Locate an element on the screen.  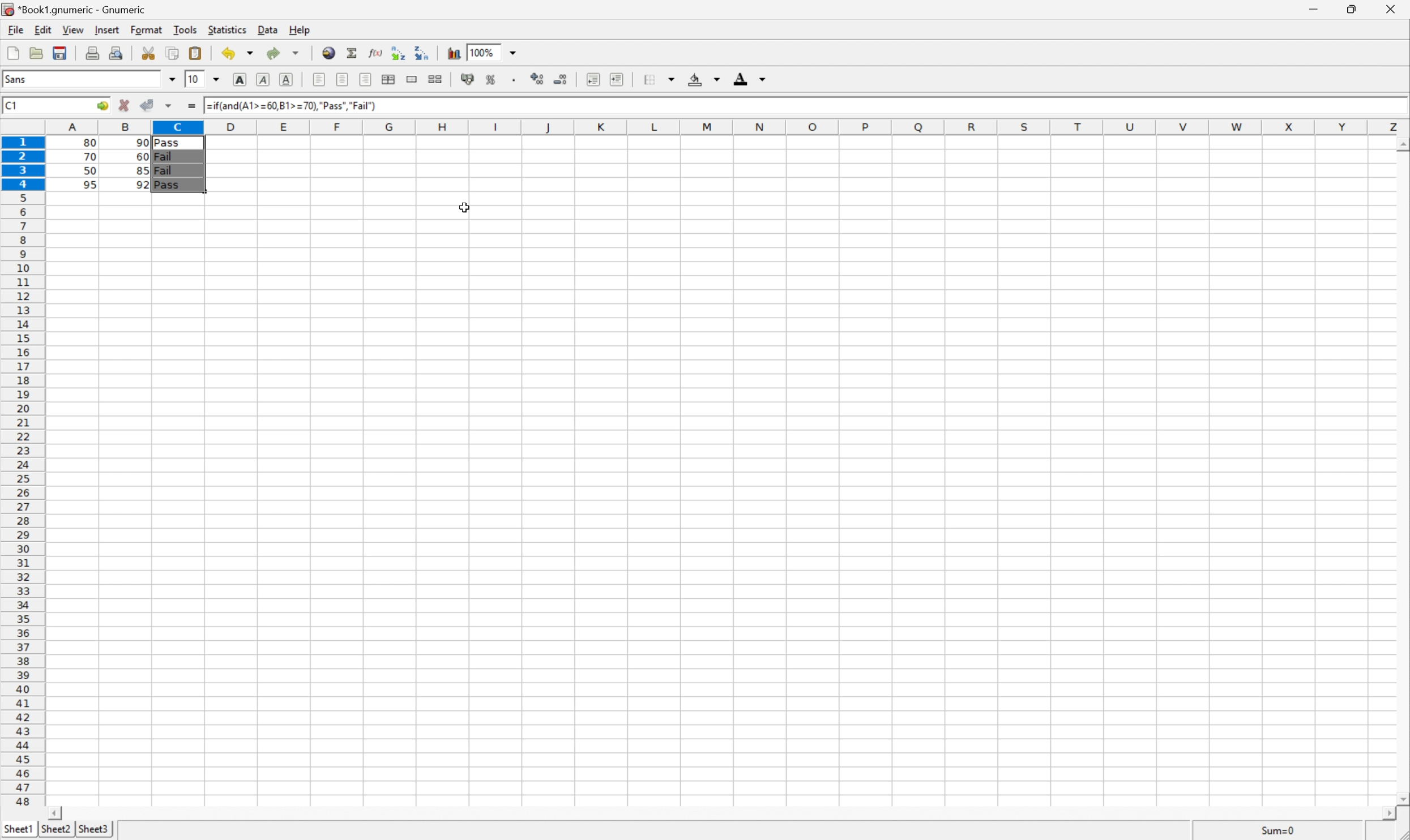
Pass is located at coordinates (174, 185).